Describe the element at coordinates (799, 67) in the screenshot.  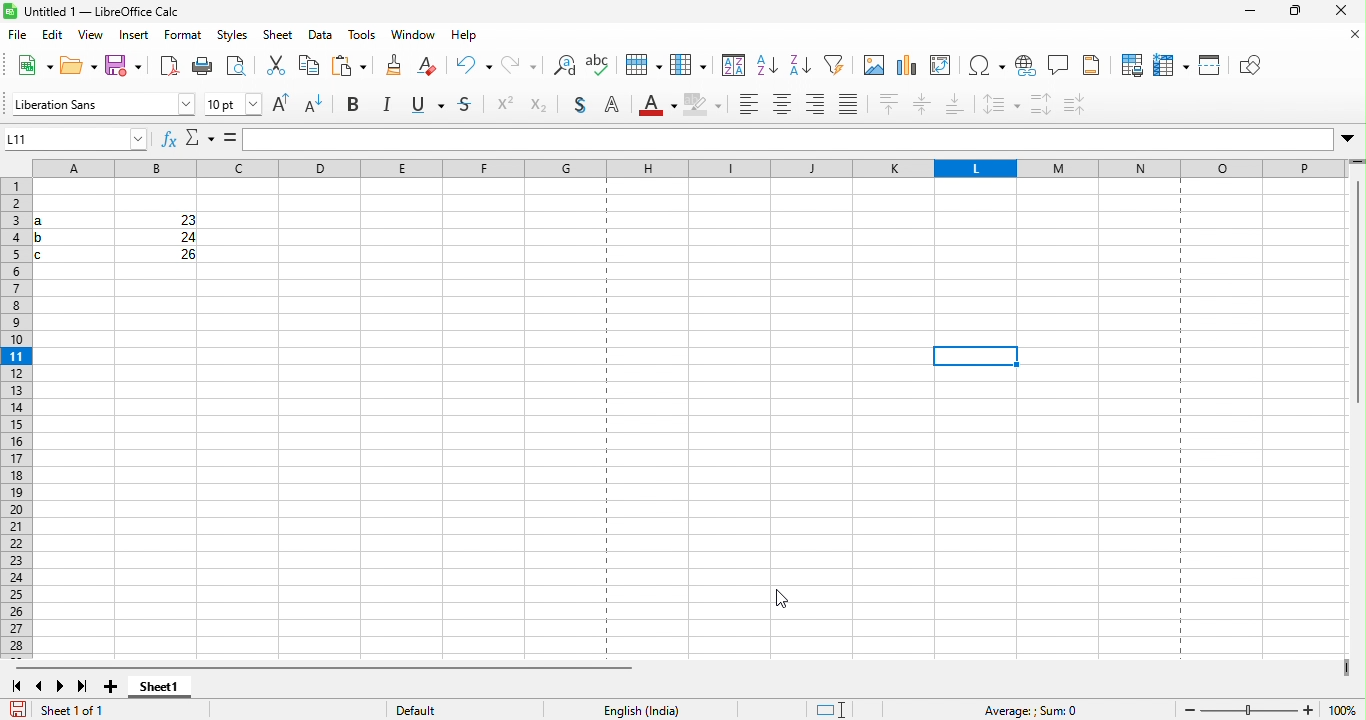
I see `auto filter` at that location.